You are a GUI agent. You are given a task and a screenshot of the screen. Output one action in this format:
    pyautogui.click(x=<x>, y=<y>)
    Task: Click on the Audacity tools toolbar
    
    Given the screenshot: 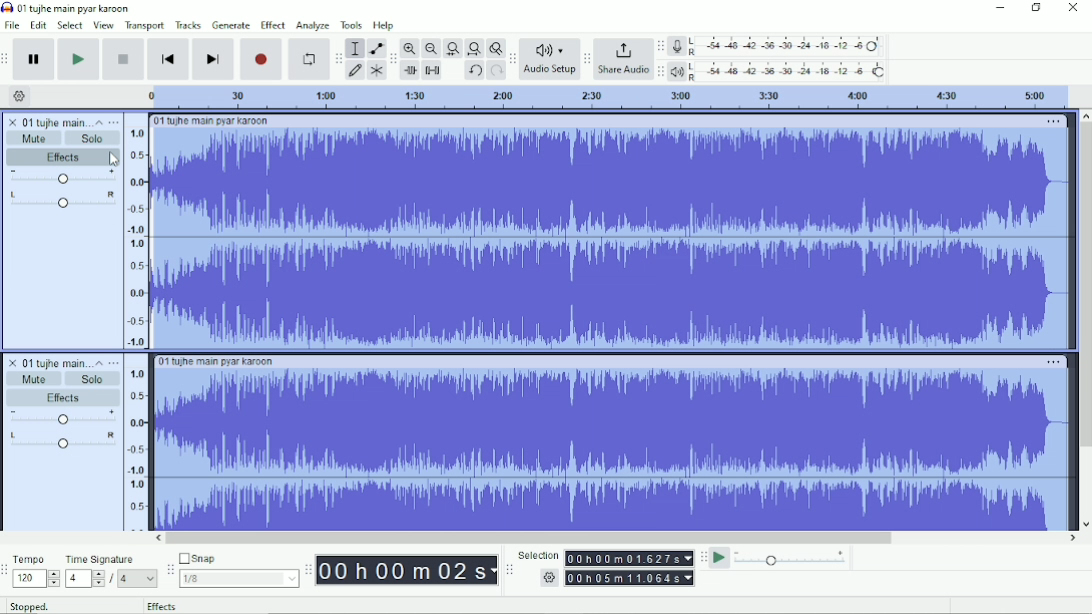 What is the action you would take?
    pyautogui.click(x=338, y=58)
    